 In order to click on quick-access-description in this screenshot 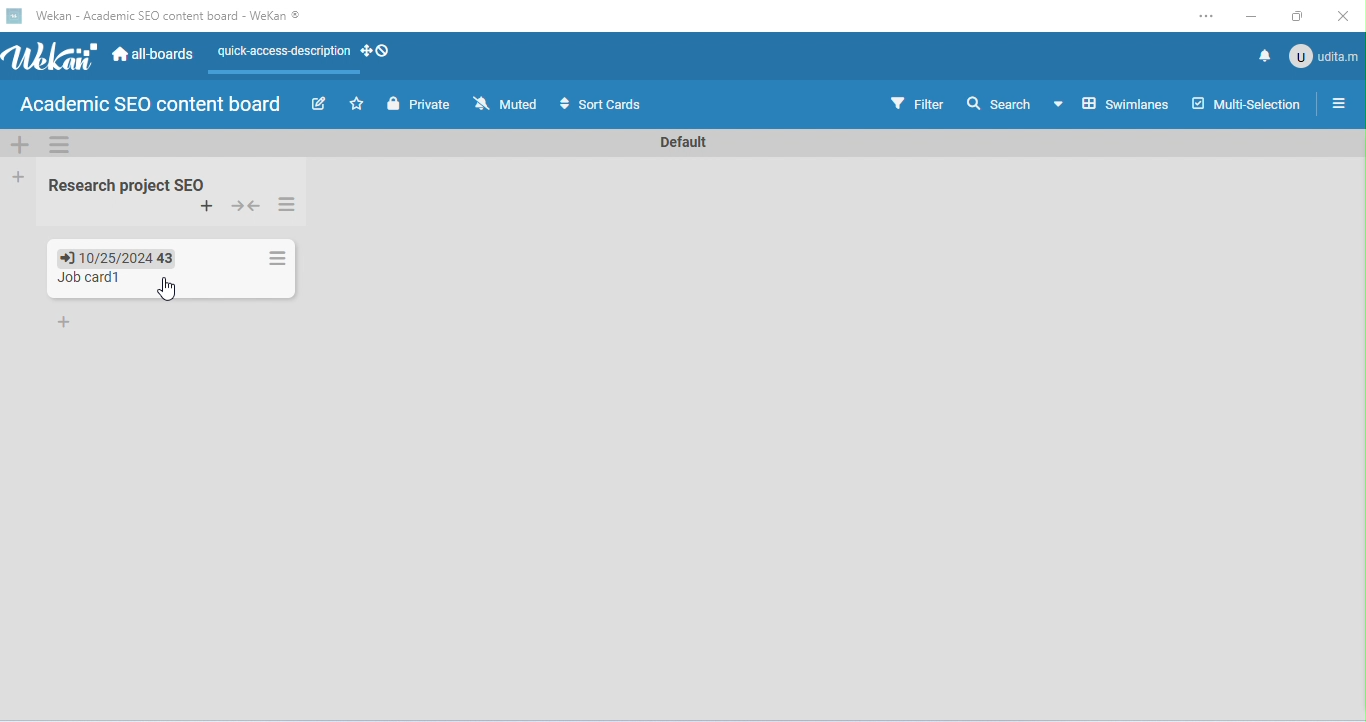, I will do `click(279, 58)`.